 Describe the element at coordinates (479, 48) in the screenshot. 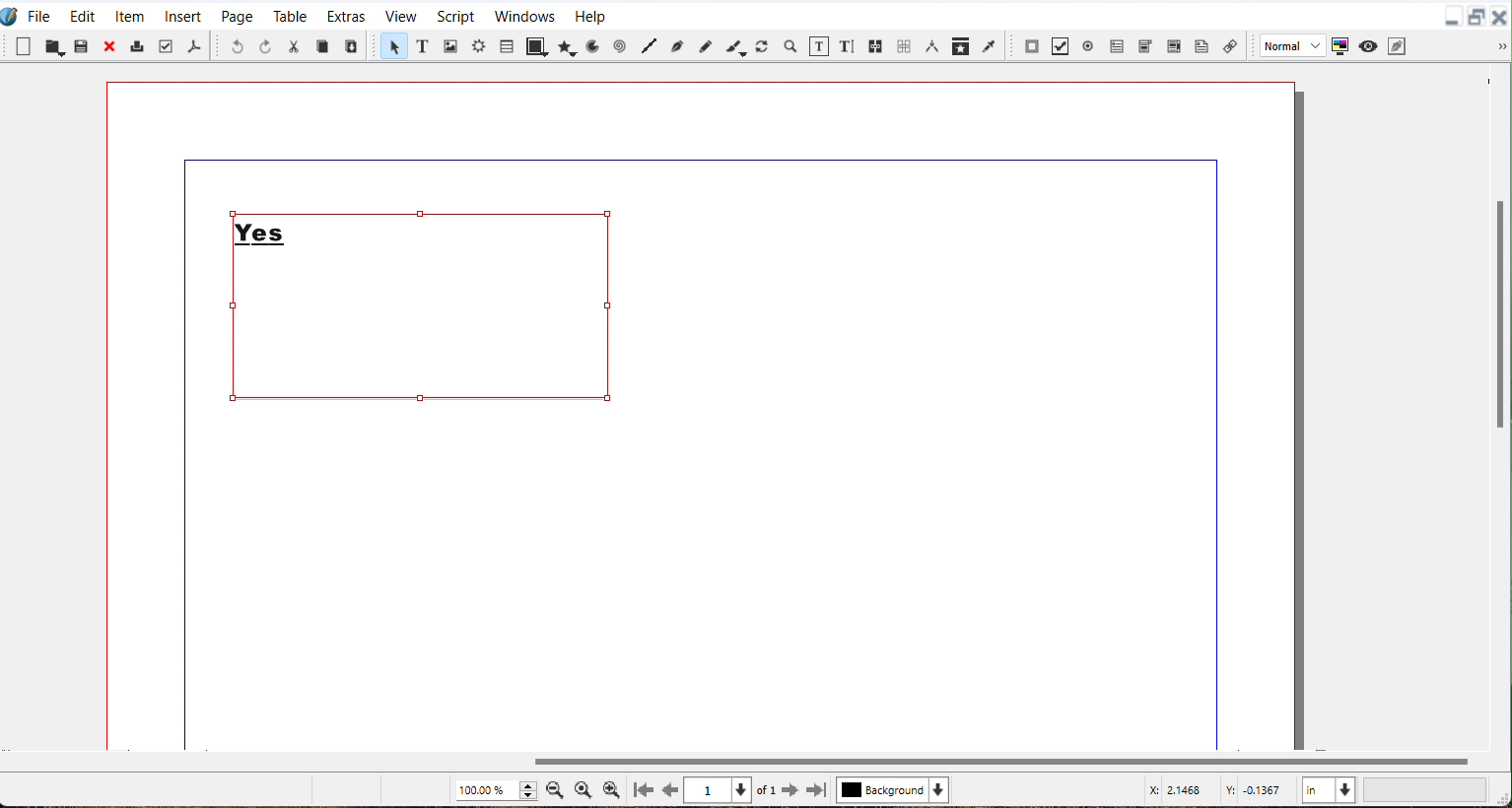

I see `Render Frame` at that location.